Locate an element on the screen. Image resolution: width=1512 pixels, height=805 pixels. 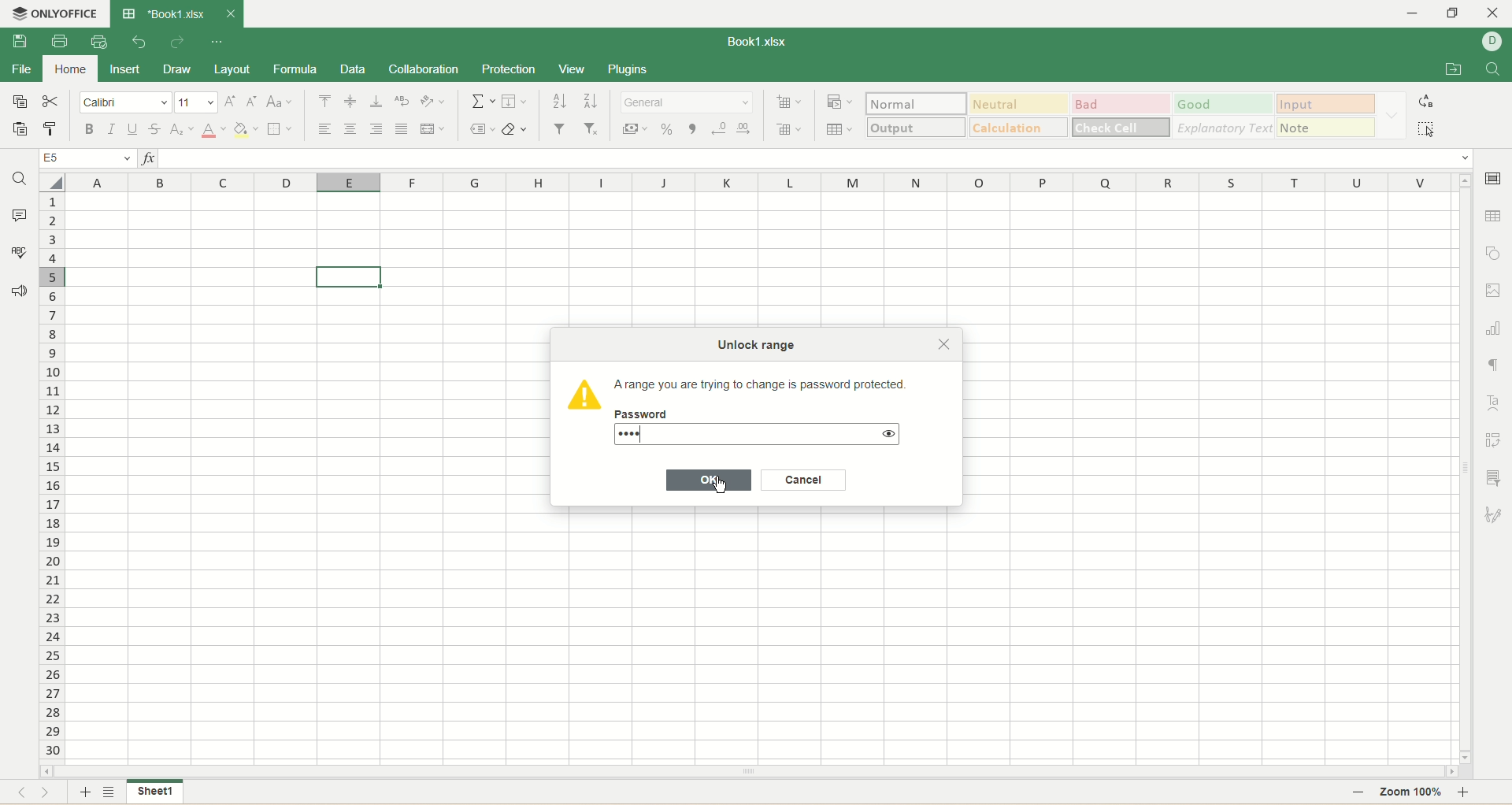
fill is located at coordinates (514, 100).